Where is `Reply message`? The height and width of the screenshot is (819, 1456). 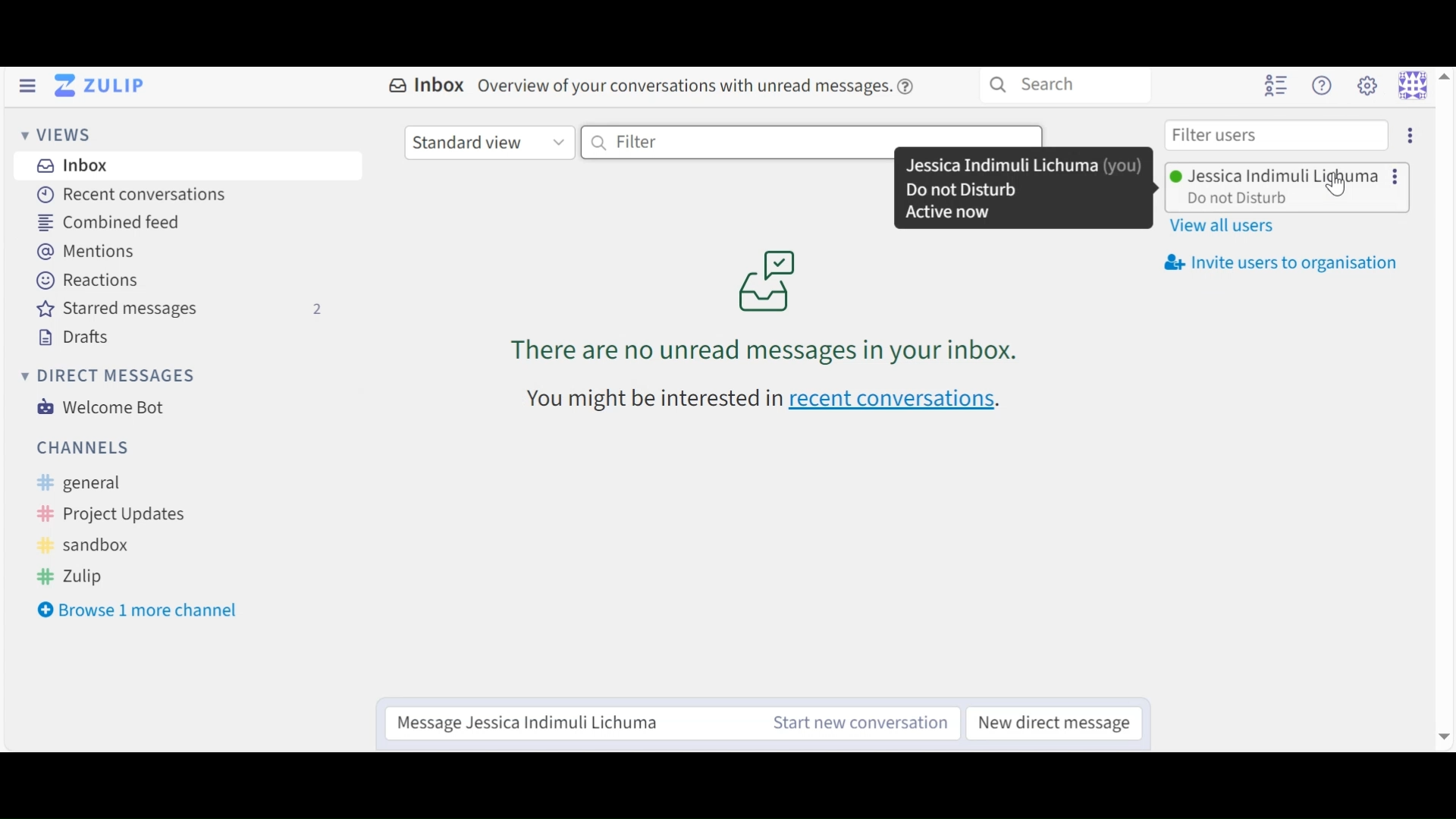 Reply message is located at coordinates (568, 724).